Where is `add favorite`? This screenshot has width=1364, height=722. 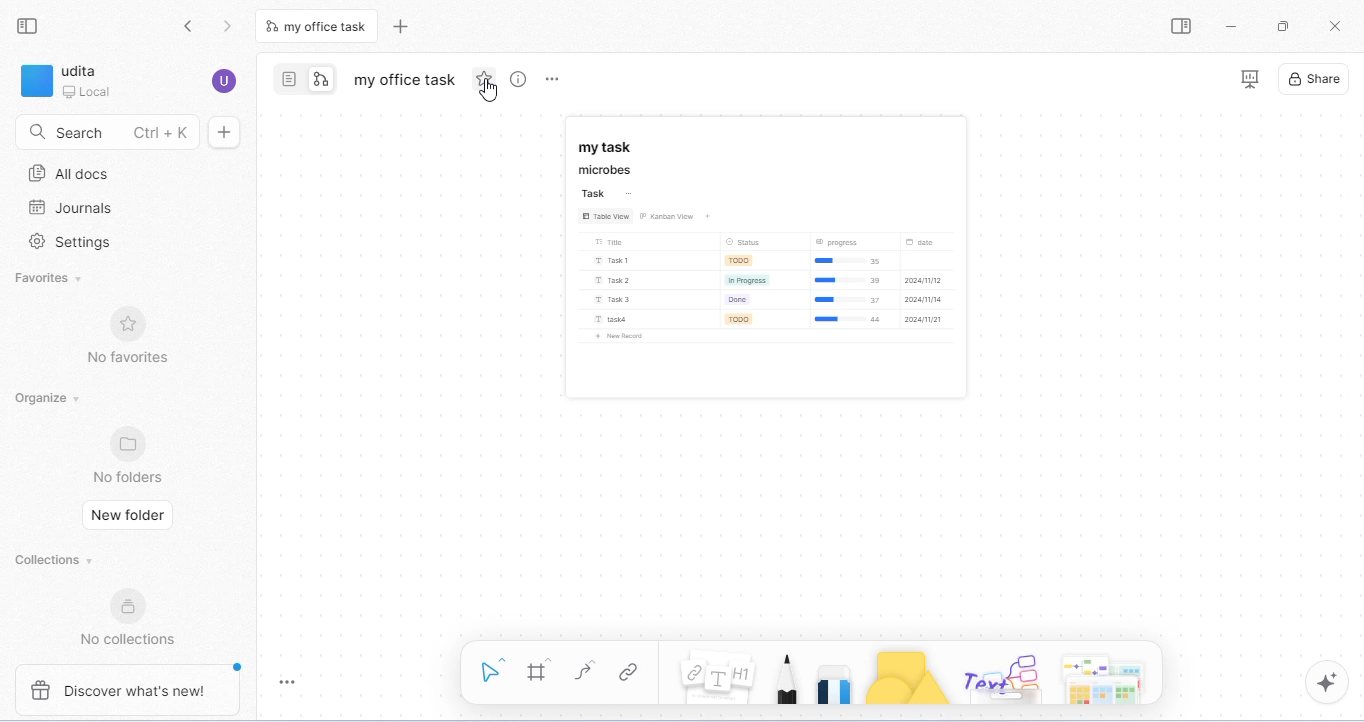 add favorite is located at coordinates (487, 79).